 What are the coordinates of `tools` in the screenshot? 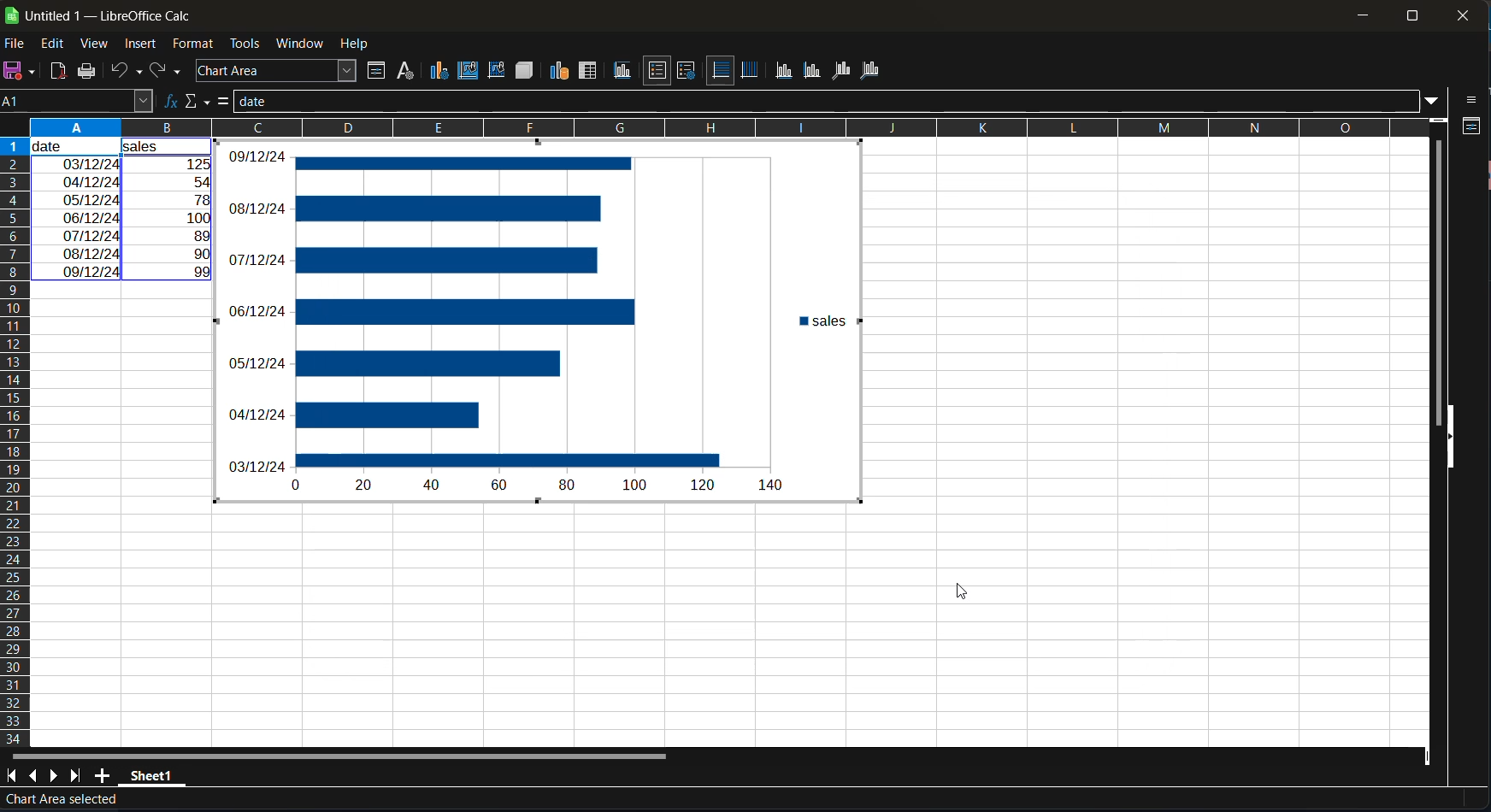 It's located at (244, 43).